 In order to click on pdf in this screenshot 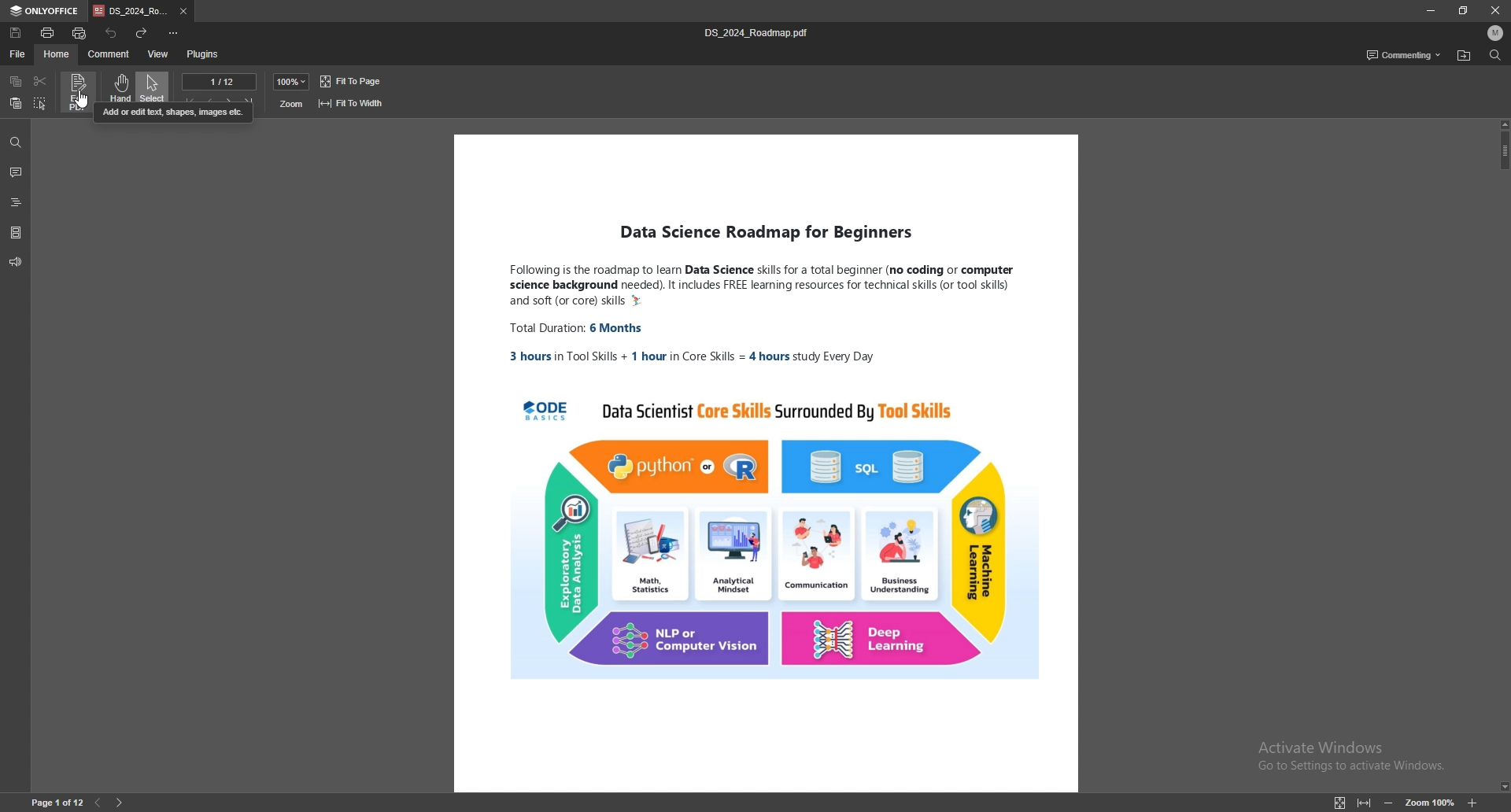, I will do `click(767, 463)`.